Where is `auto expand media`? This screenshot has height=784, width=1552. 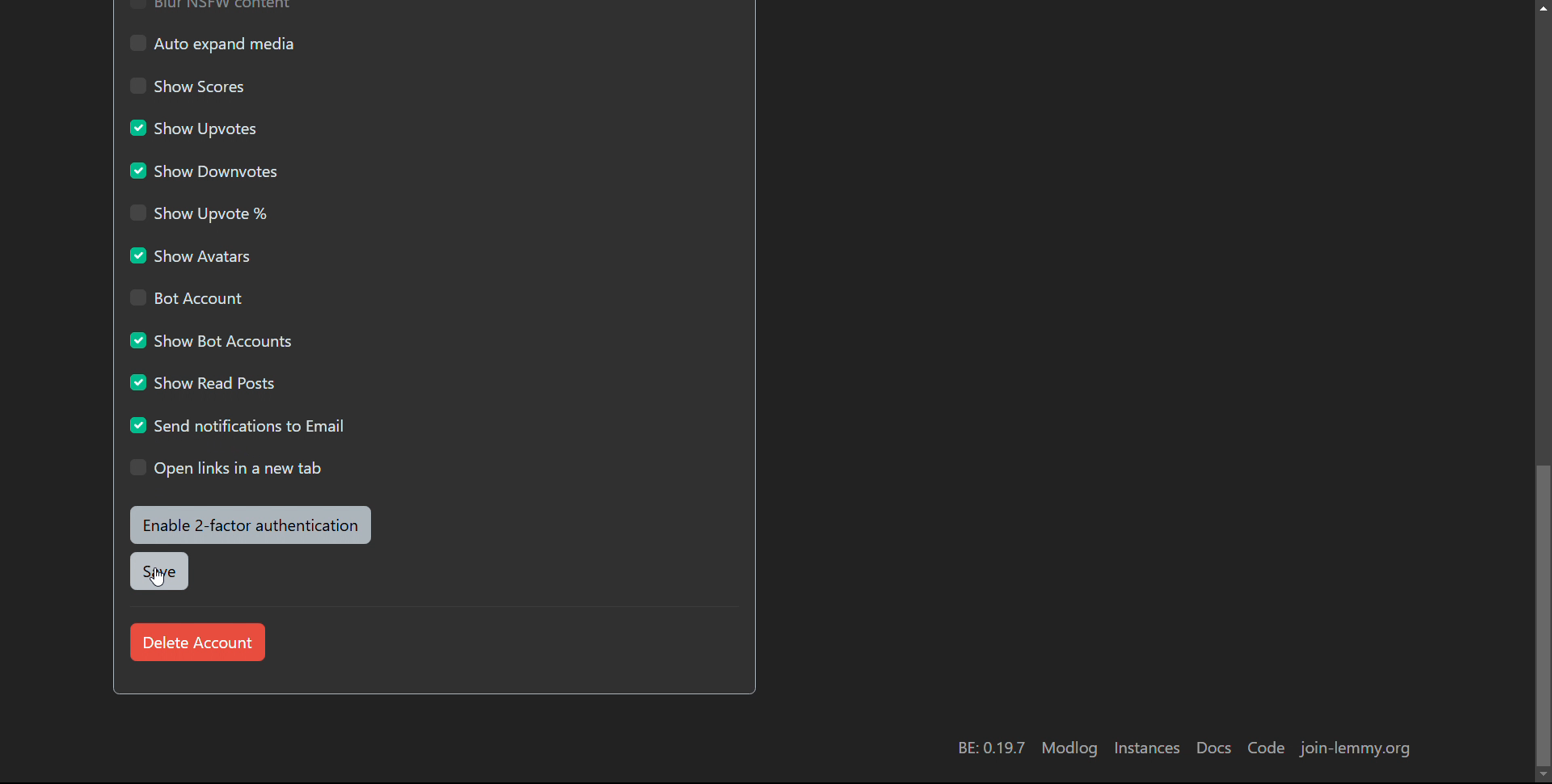 auto expand media is located at coordinates (212, 43).